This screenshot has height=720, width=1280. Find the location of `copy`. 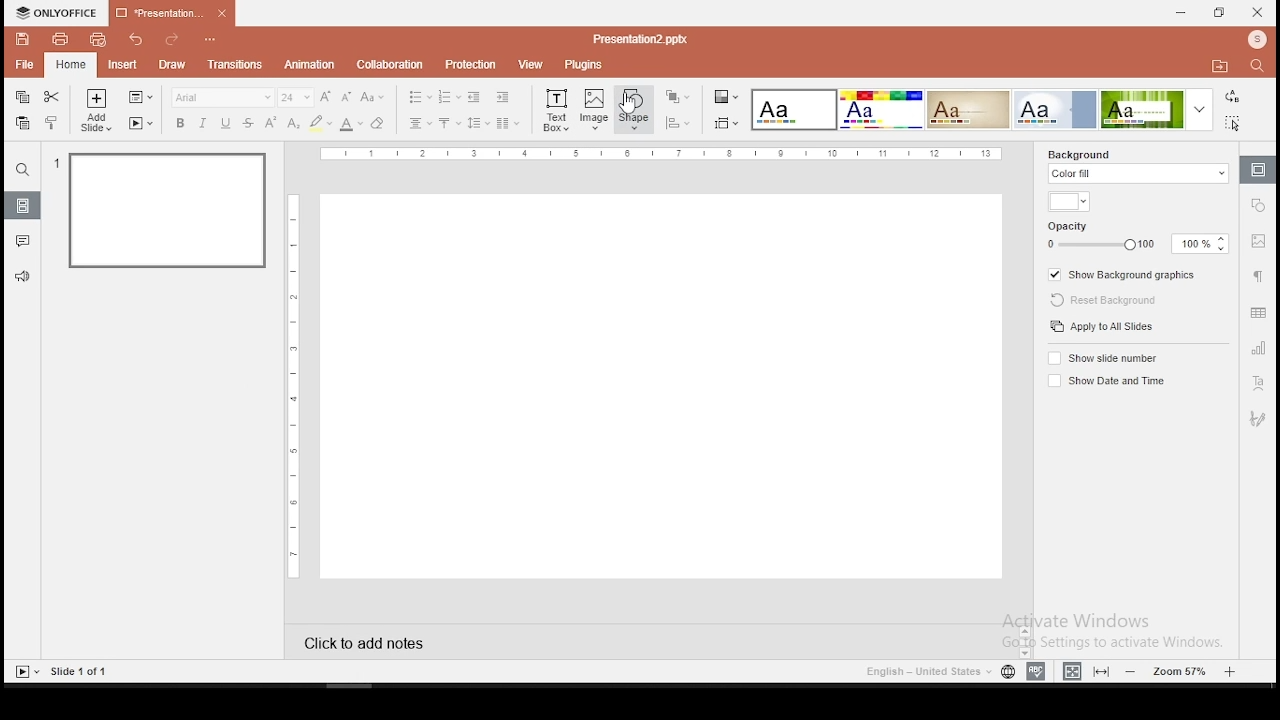

copy is located at coordinates (21, 98).